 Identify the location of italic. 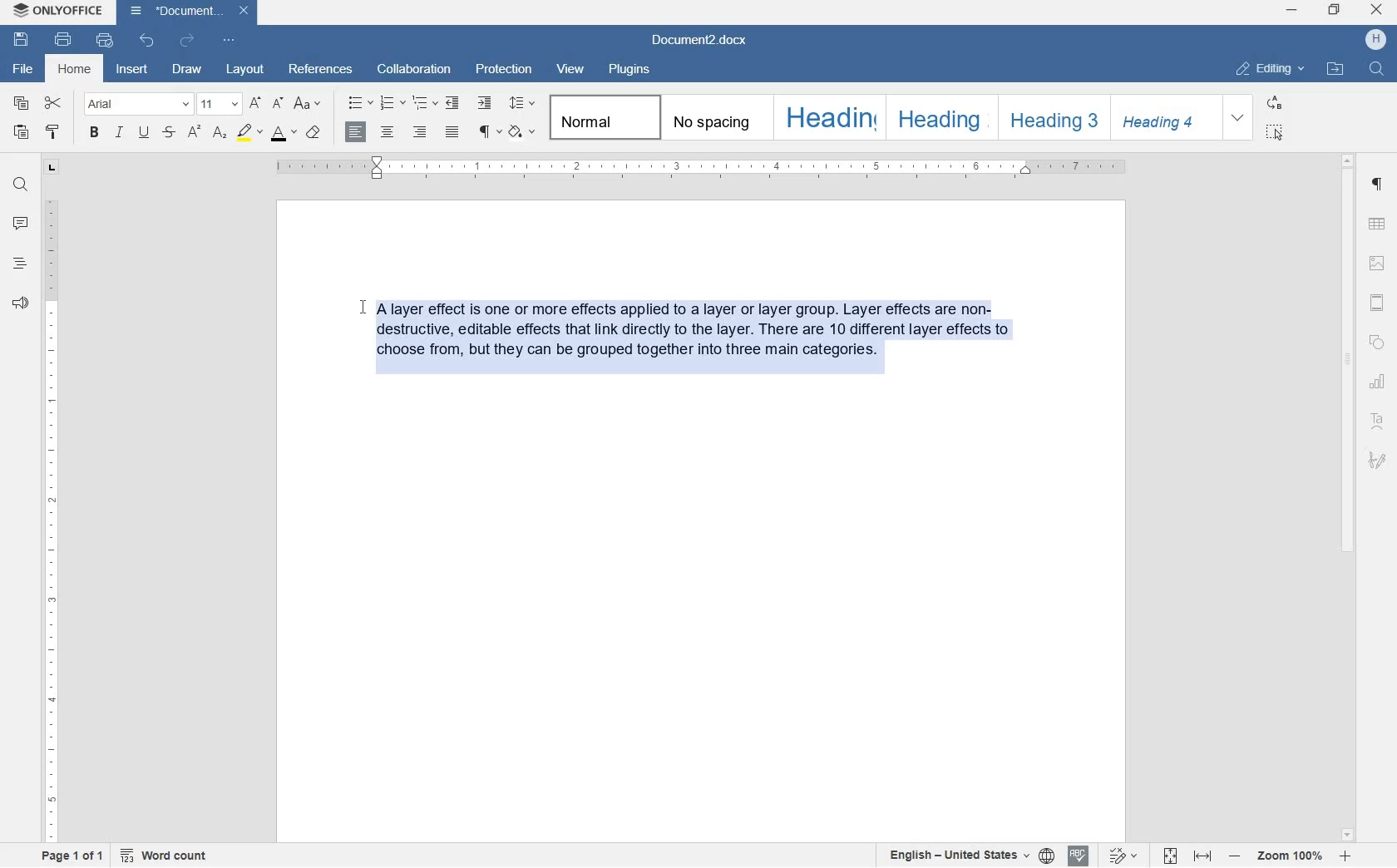
(120, 133).